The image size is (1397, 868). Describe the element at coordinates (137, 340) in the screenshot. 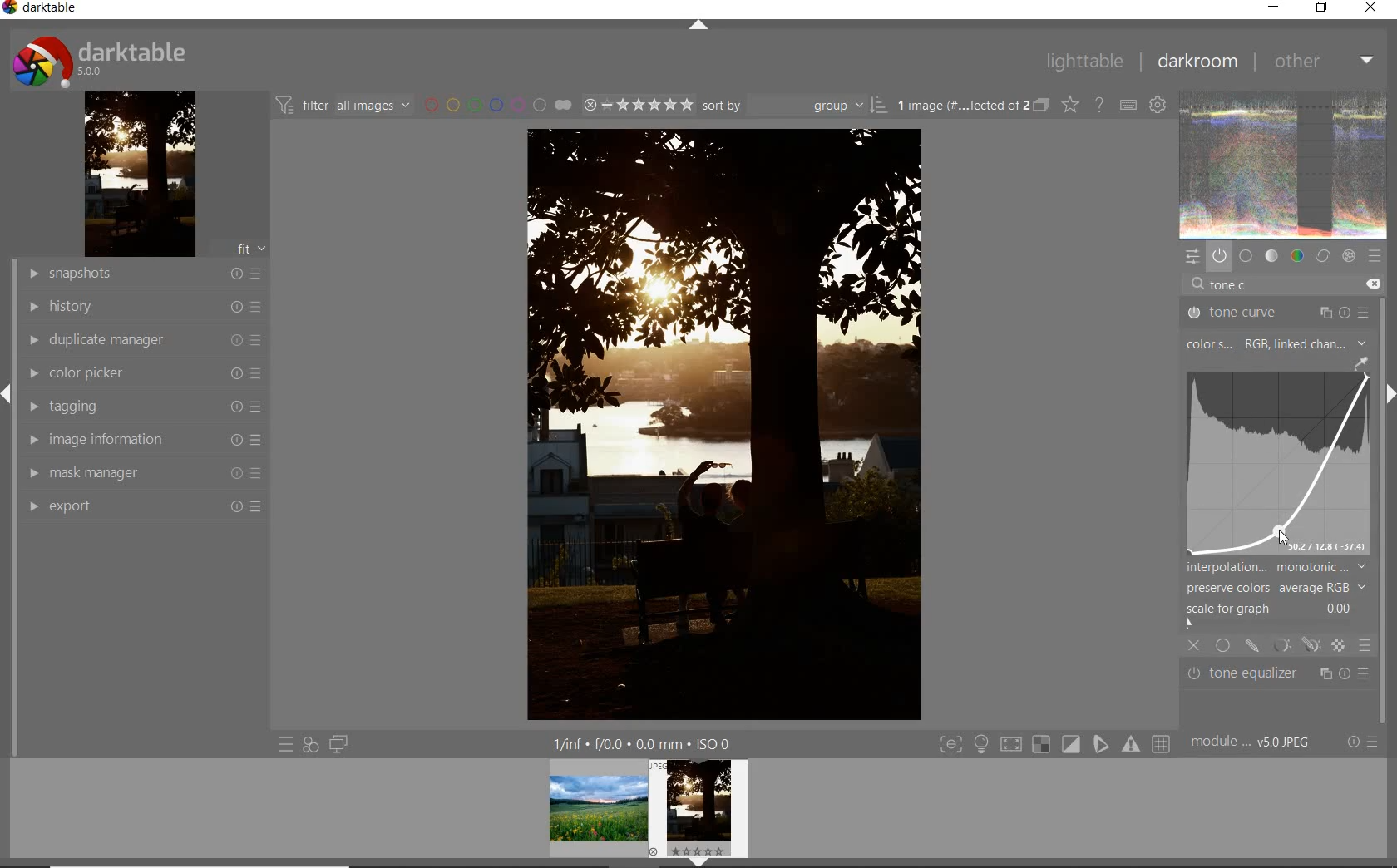

I see `duplicate manager` at that location.